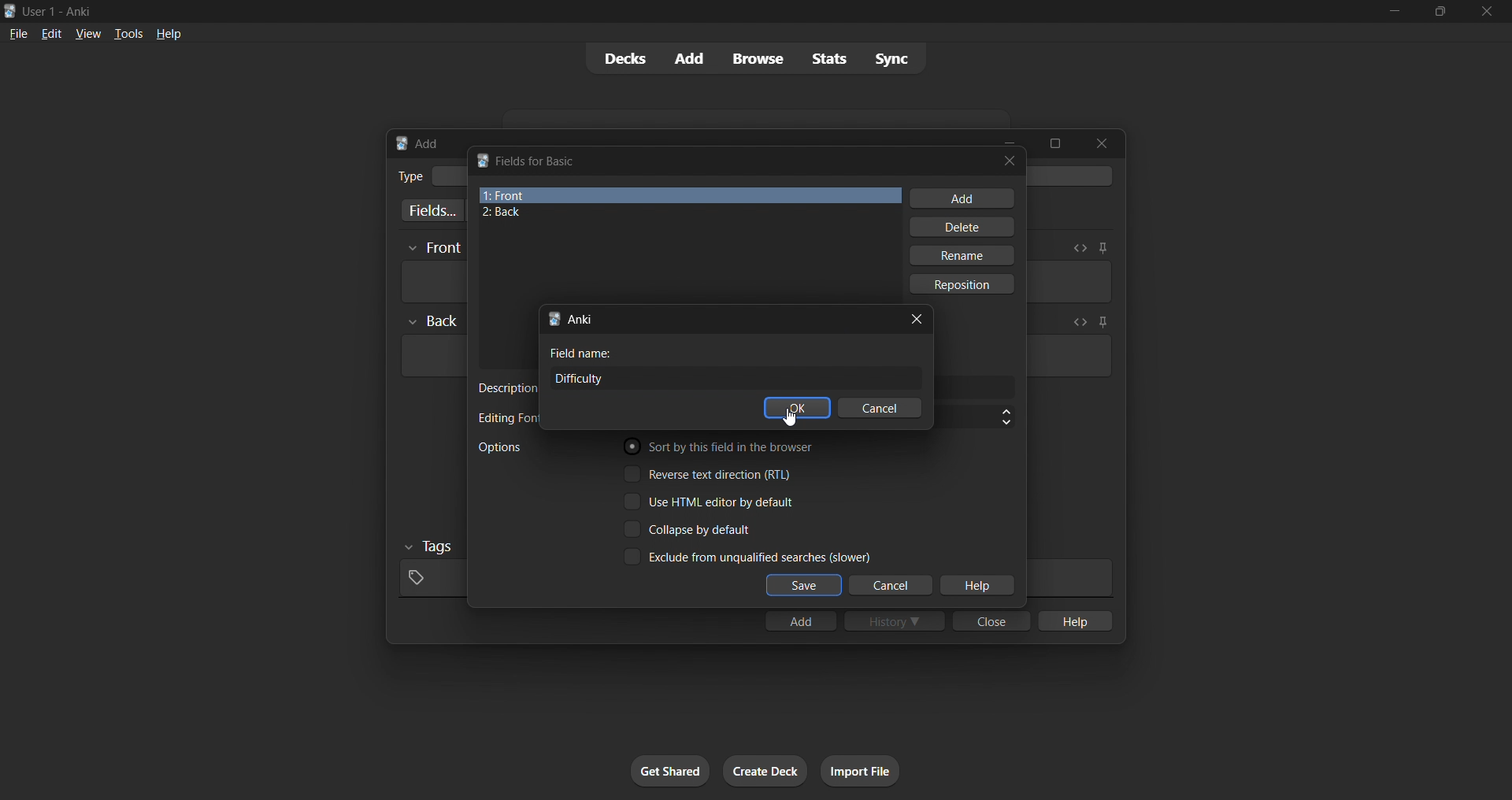 This screenshot has height=800, width=1512. I want to click on help, so click(976, 586).